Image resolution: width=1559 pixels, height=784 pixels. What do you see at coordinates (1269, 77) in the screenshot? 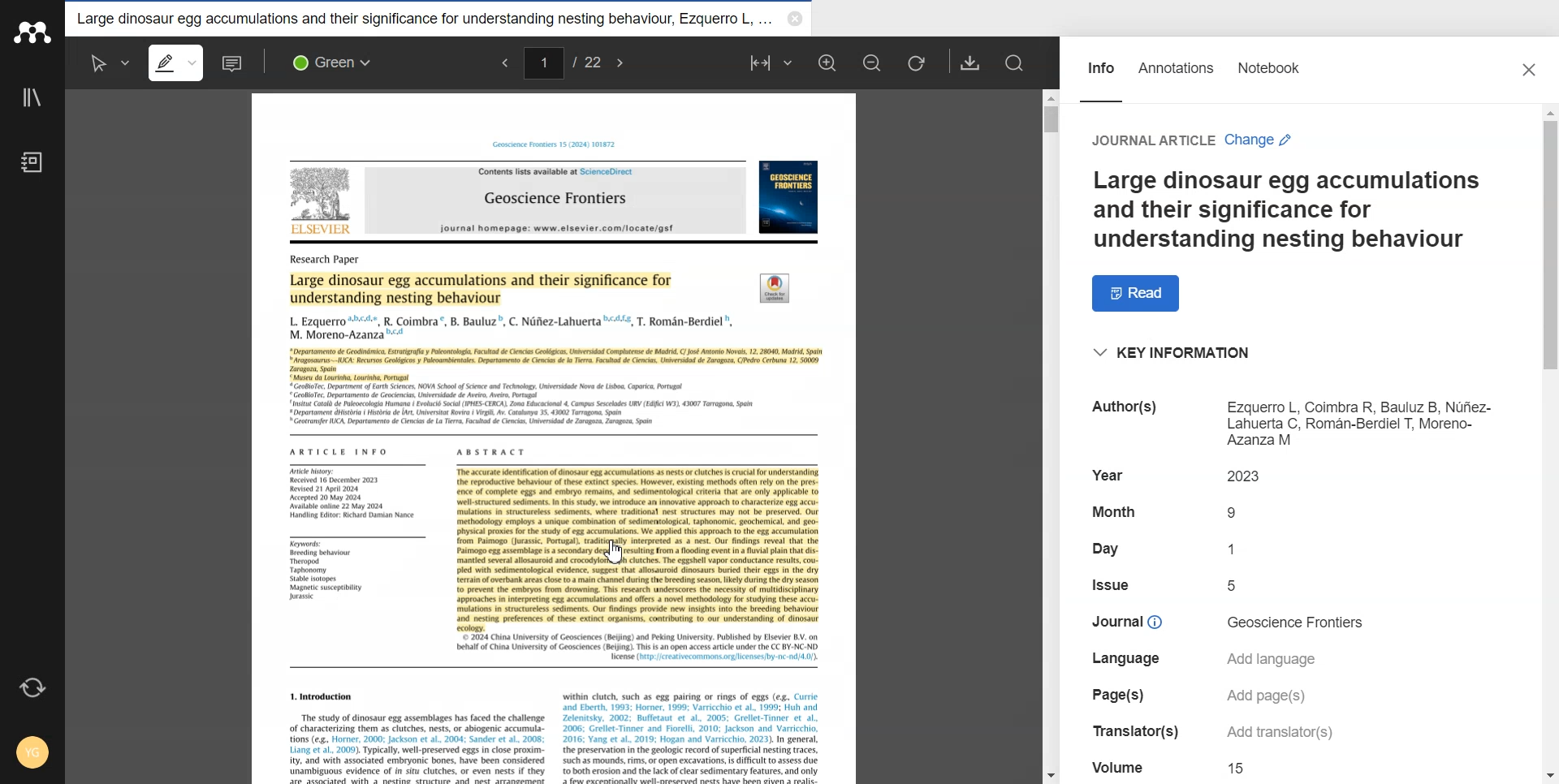
I see `Notebook` at bounding box center [1269, 77].